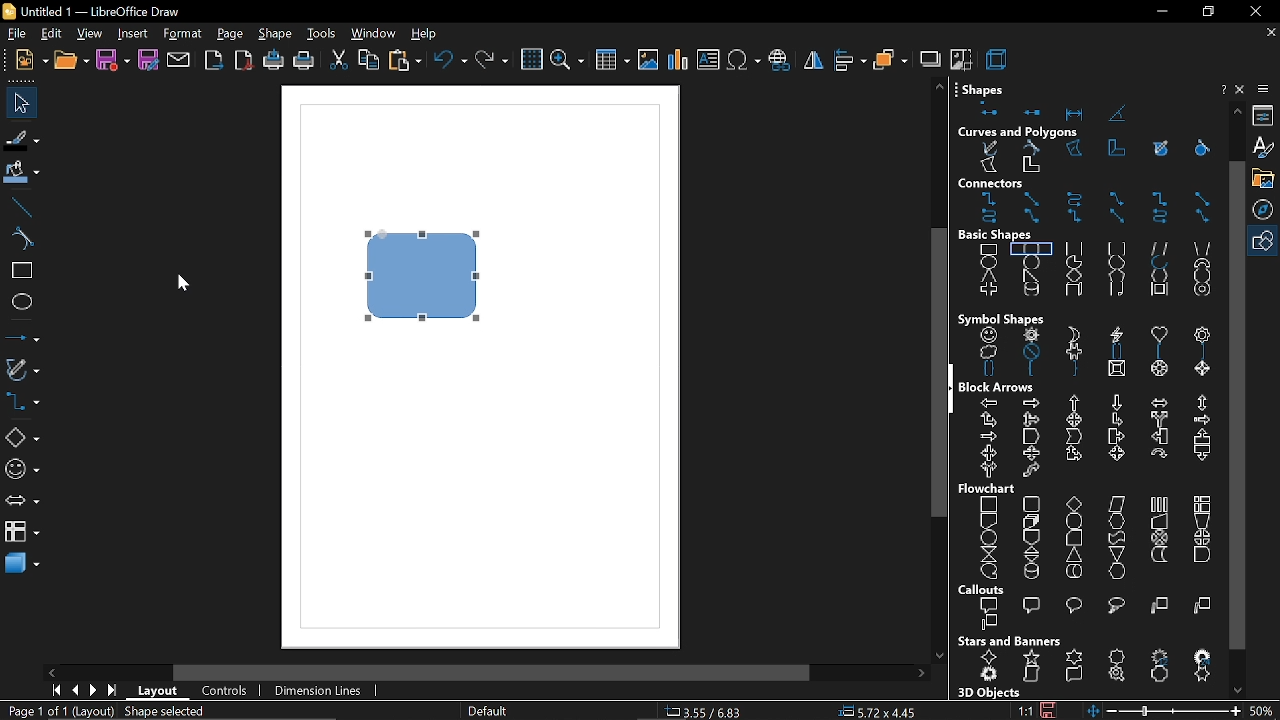  What do you see at coordinates (939, 86) in the screenshot?
I see `scroll up` at bounding box center [939, 86].